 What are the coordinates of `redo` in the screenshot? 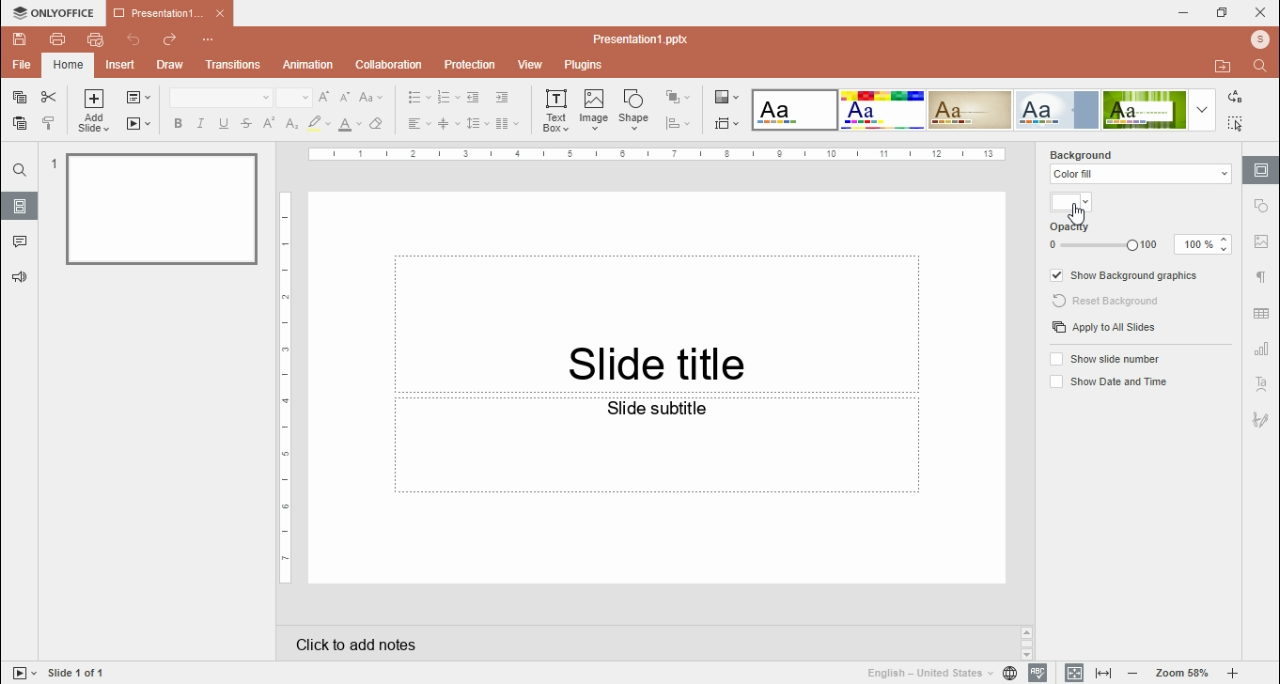 It's located at (169, 40).